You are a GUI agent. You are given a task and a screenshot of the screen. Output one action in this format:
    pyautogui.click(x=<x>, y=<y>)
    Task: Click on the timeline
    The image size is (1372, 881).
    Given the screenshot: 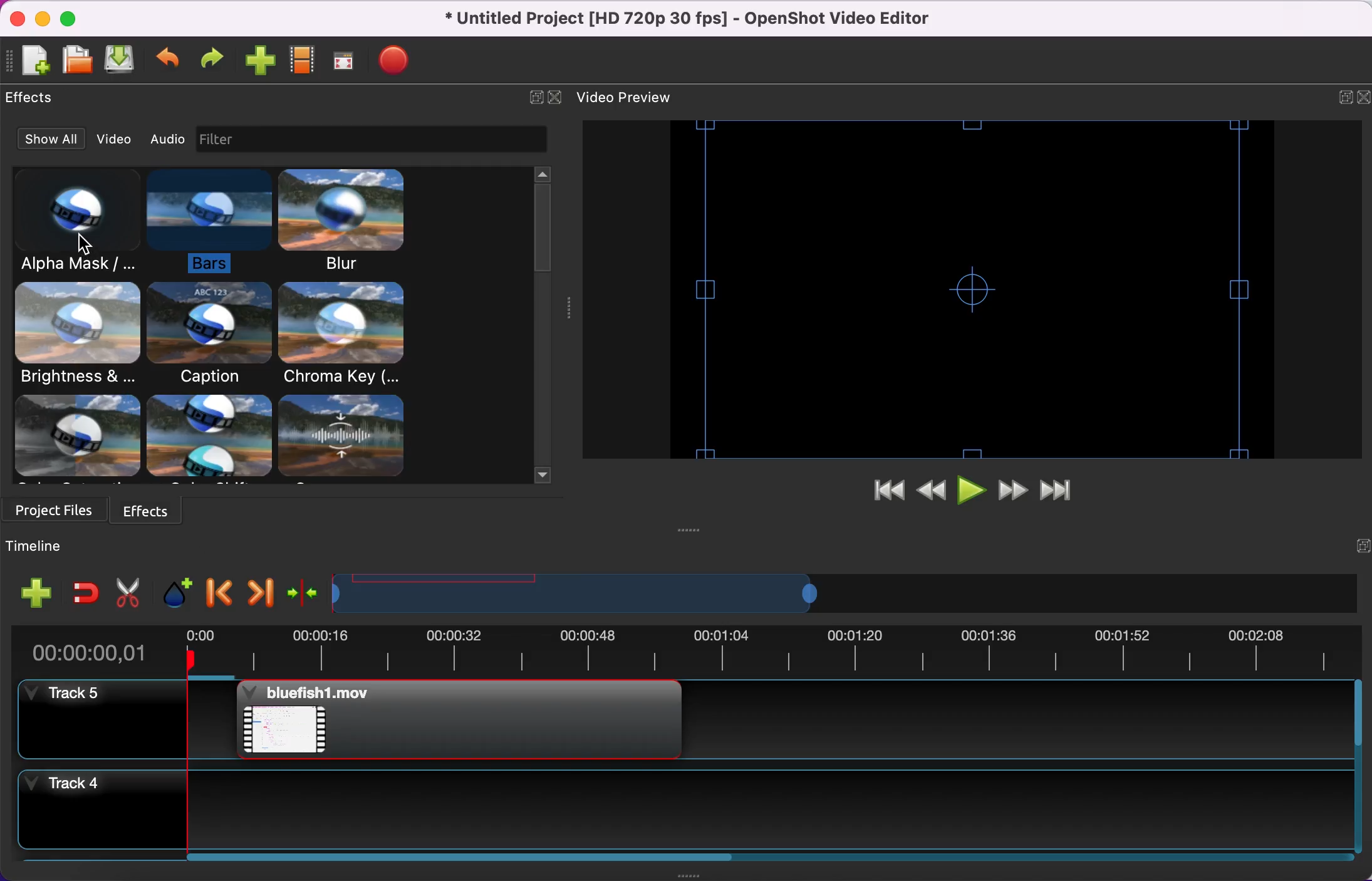 What is the action you would take?
    pyautogui.click(x=824, y=594)
    